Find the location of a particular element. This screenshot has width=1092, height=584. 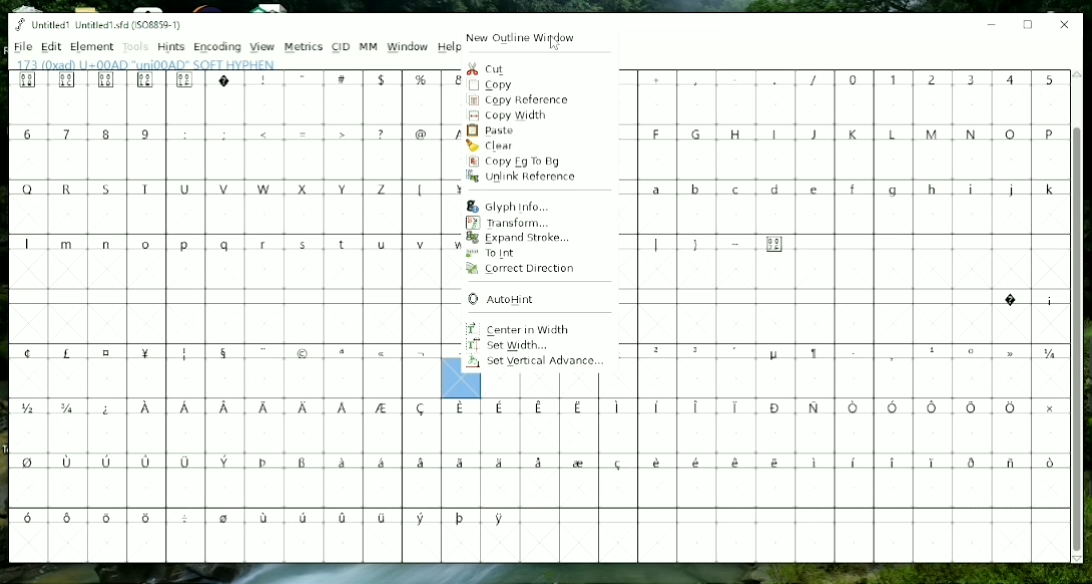

Edit is located at coordinates (51, 47).